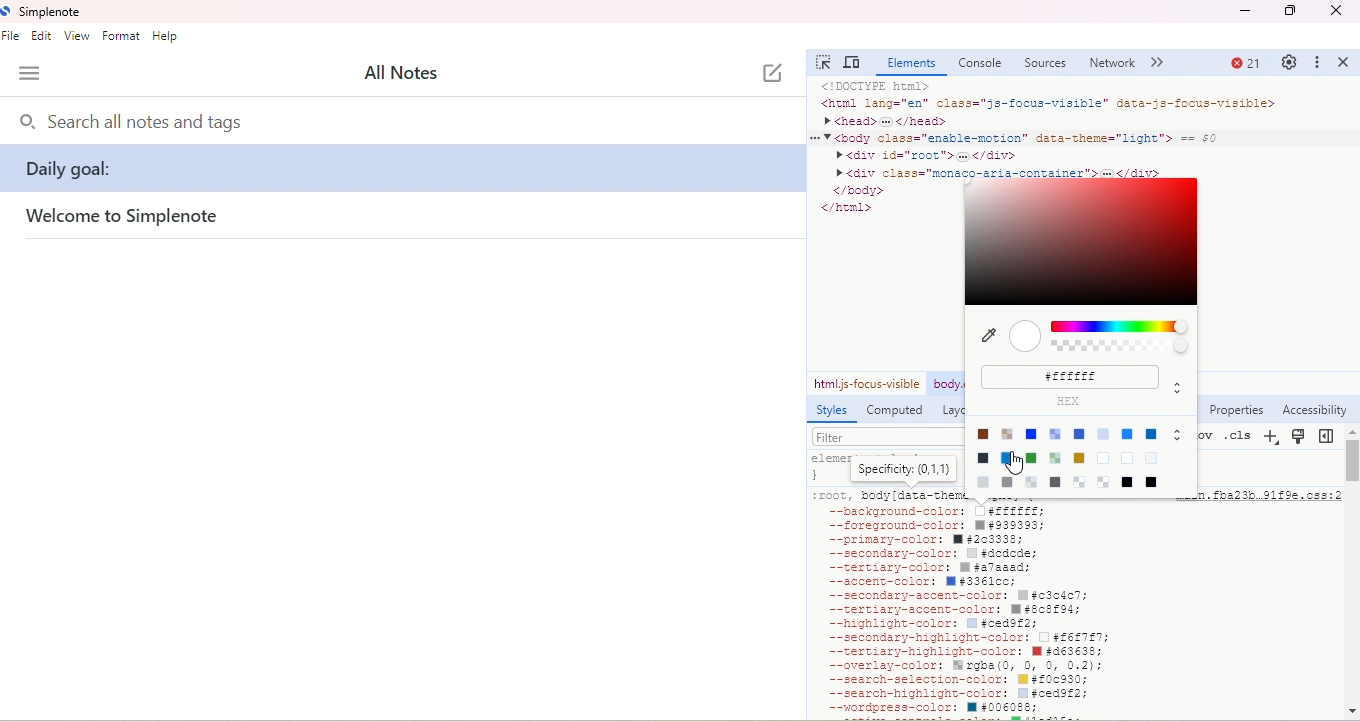 The width and height of the screenshot is (1360, 722). Describe the element at coordinates (989, 336) in the screenshot. I see `pick color` at that location.